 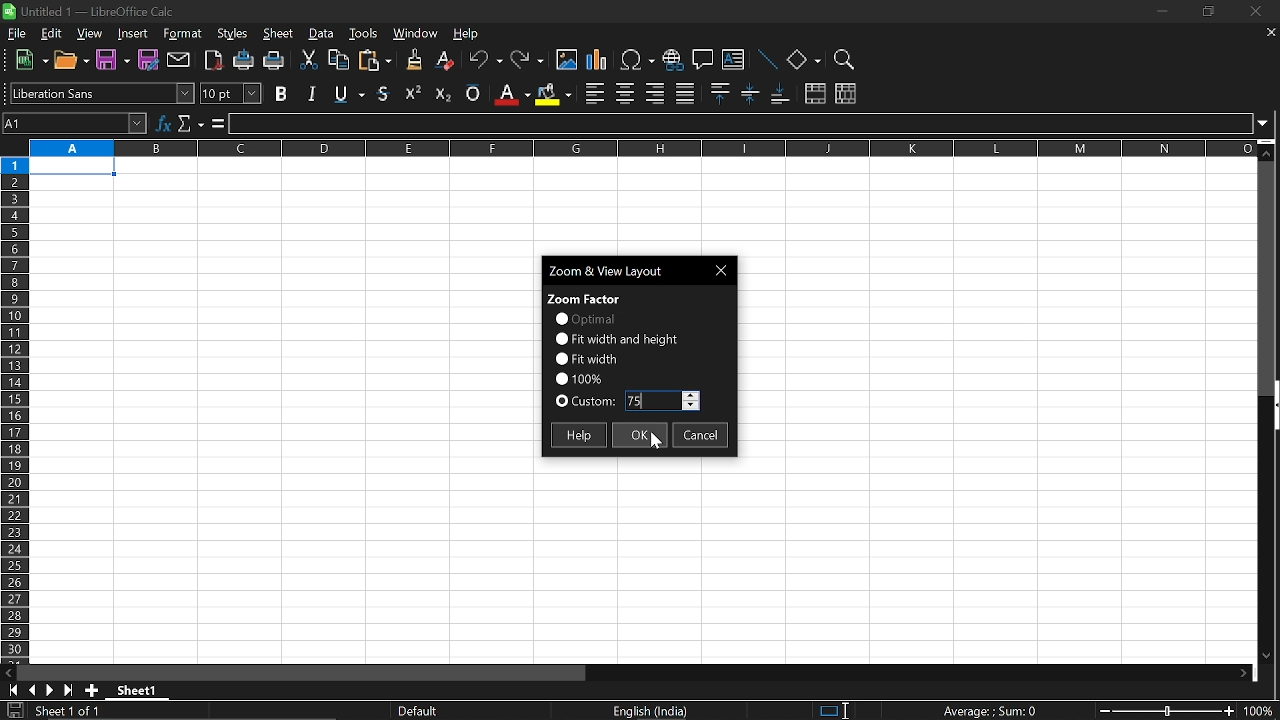 I want to click on vertical scrollbar, so click(x=1272, y=407).